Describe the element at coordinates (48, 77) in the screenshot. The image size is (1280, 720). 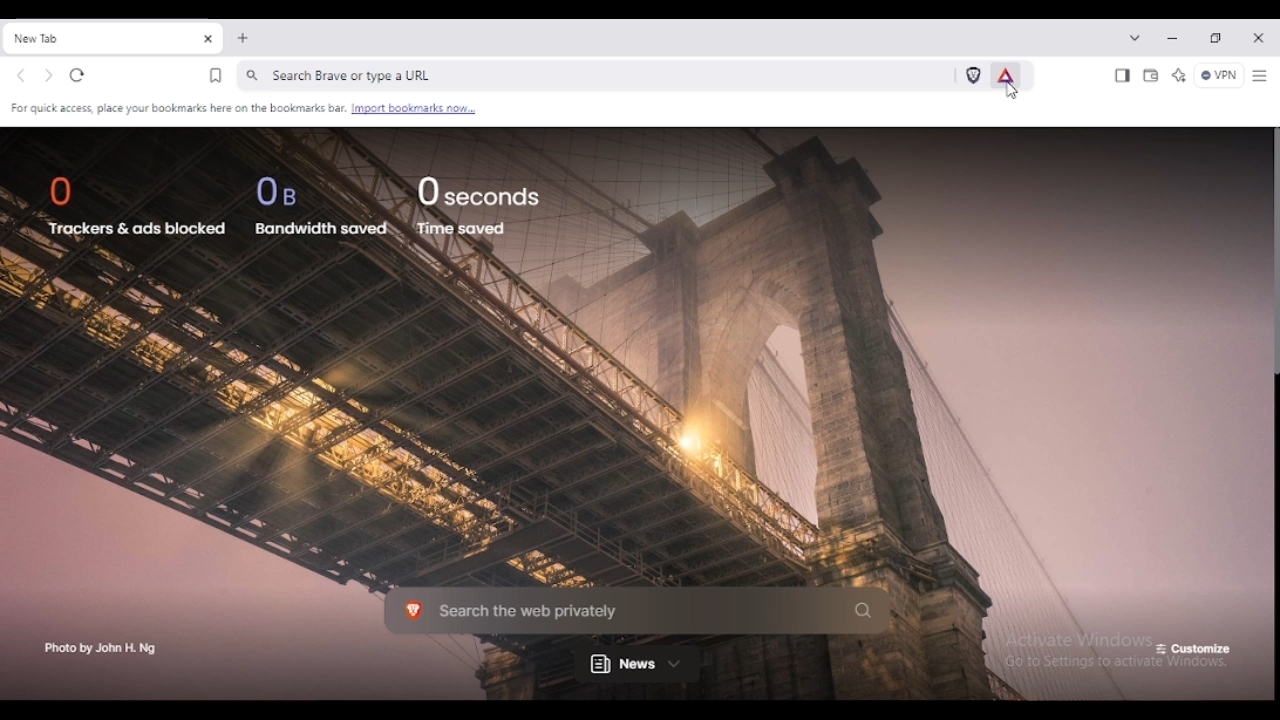
I see `go forward` at that location.